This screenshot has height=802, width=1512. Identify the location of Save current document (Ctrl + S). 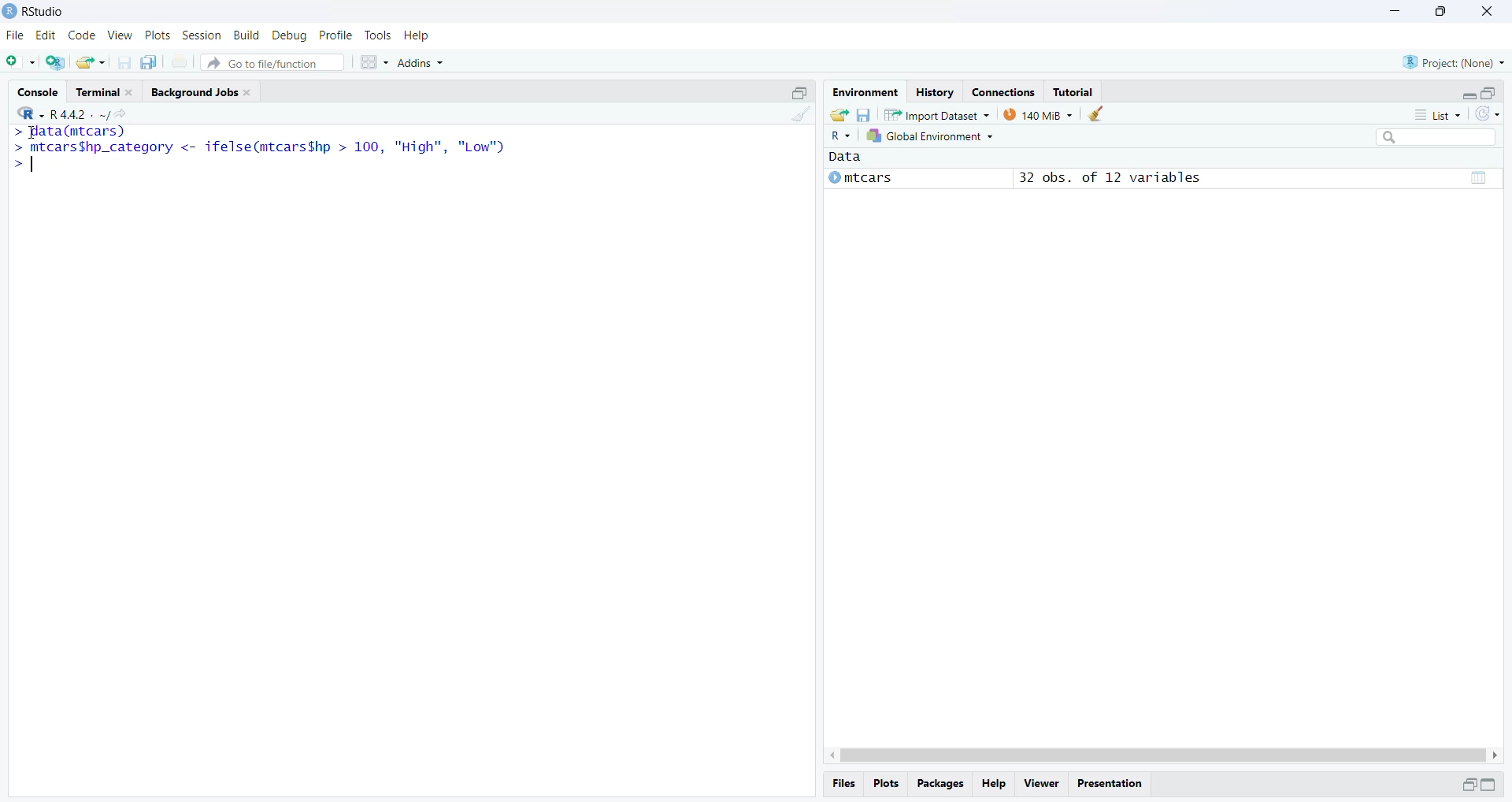
(128, 62).